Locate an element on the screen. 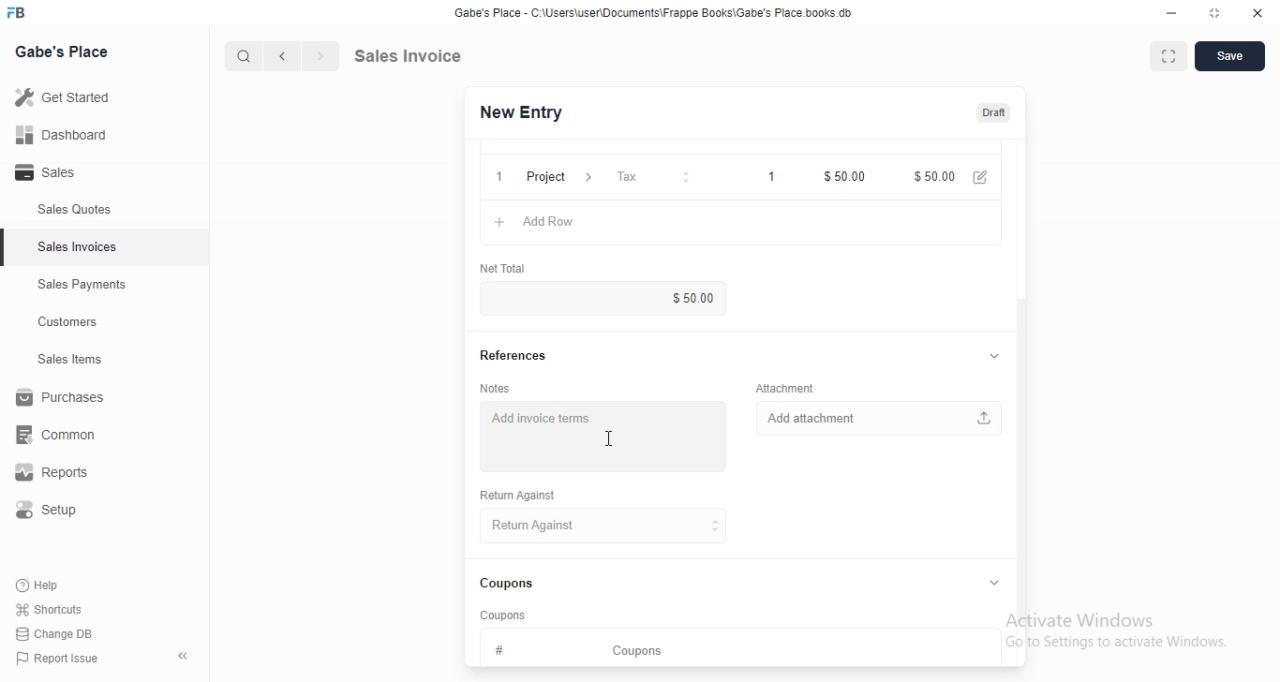  collapse is located at coordinates (993, 355).